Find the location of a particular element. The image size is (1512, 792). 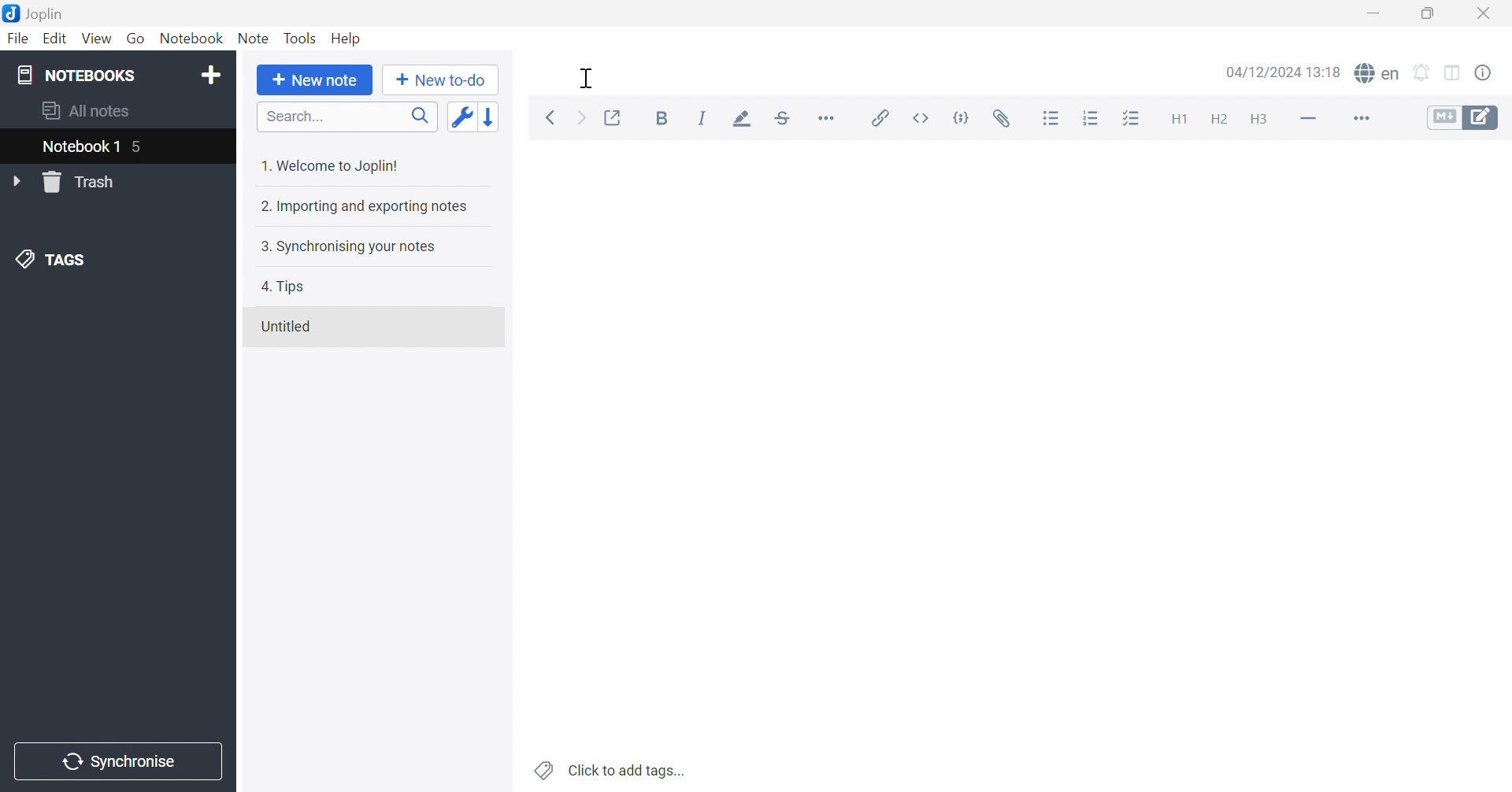

Joplin is located at coordinates (37, 13).